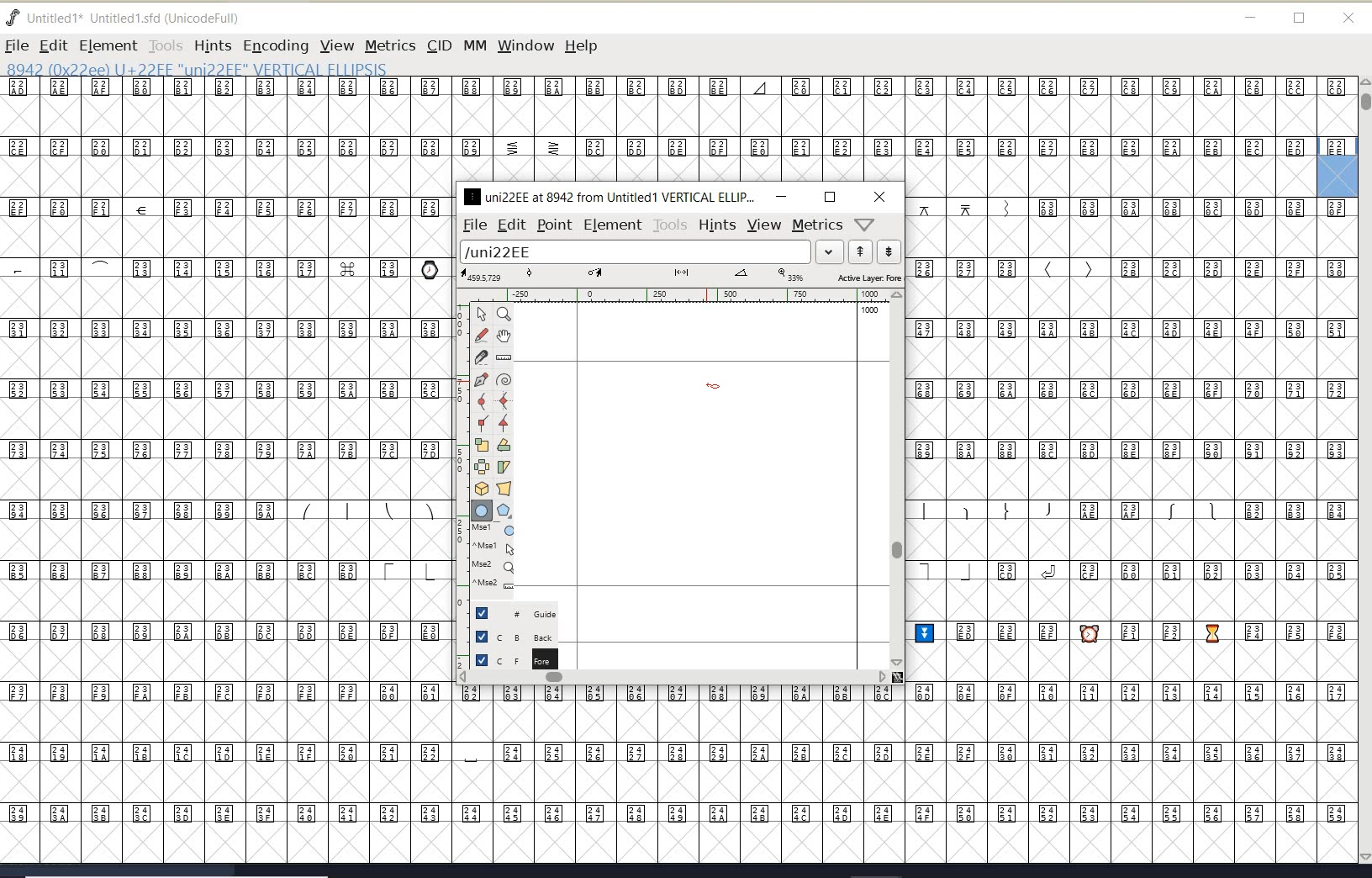  Describe the element at coordinates (504, 314) in the screenshot. I see `magnify` at that location.